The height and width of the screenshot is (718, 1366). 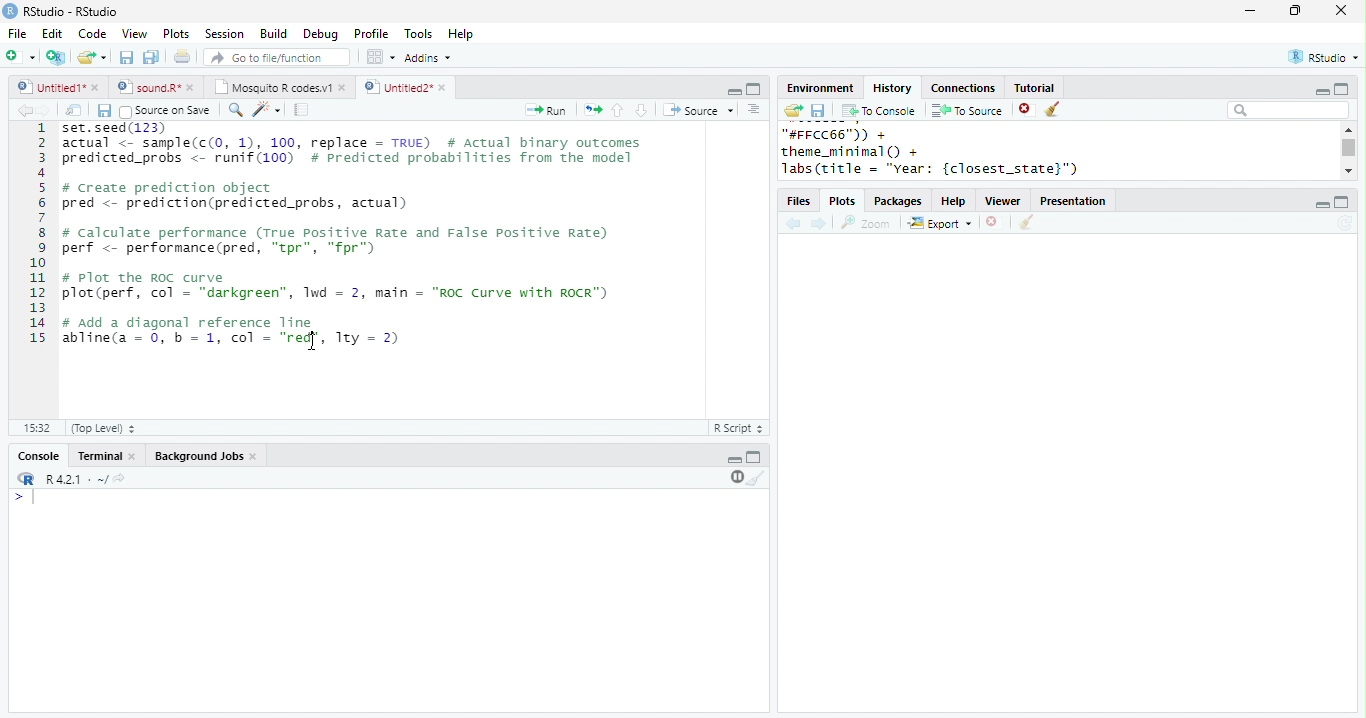 I want to click on close, so click(x=1342, y=10).